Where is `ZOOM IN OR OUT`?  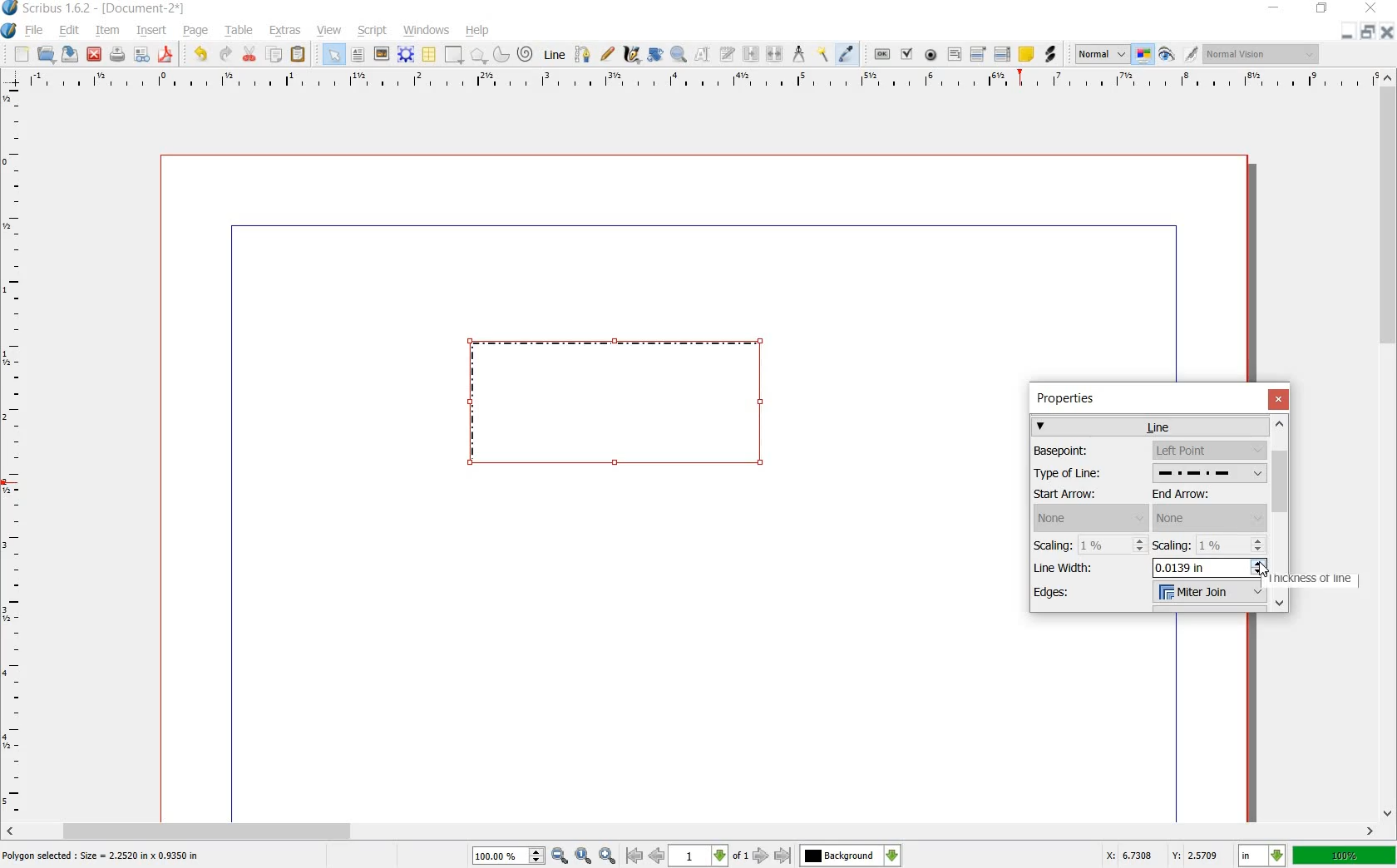
ZOOM IN OR OUT is located at coordinates (680, 52).